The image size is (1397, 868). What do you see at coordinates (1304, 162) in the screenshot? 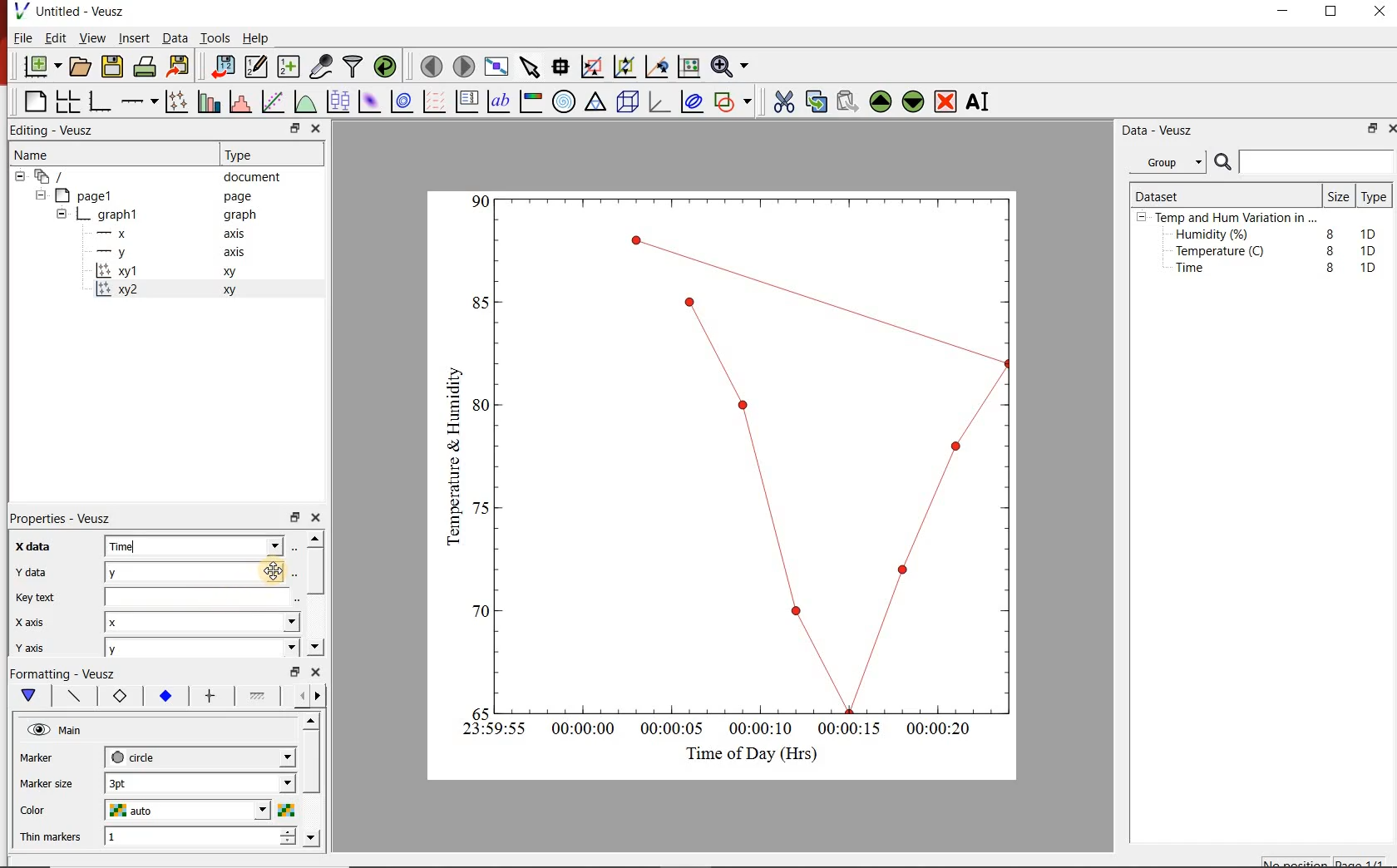
I see `Search bar` at bounding box center [1304, 162].